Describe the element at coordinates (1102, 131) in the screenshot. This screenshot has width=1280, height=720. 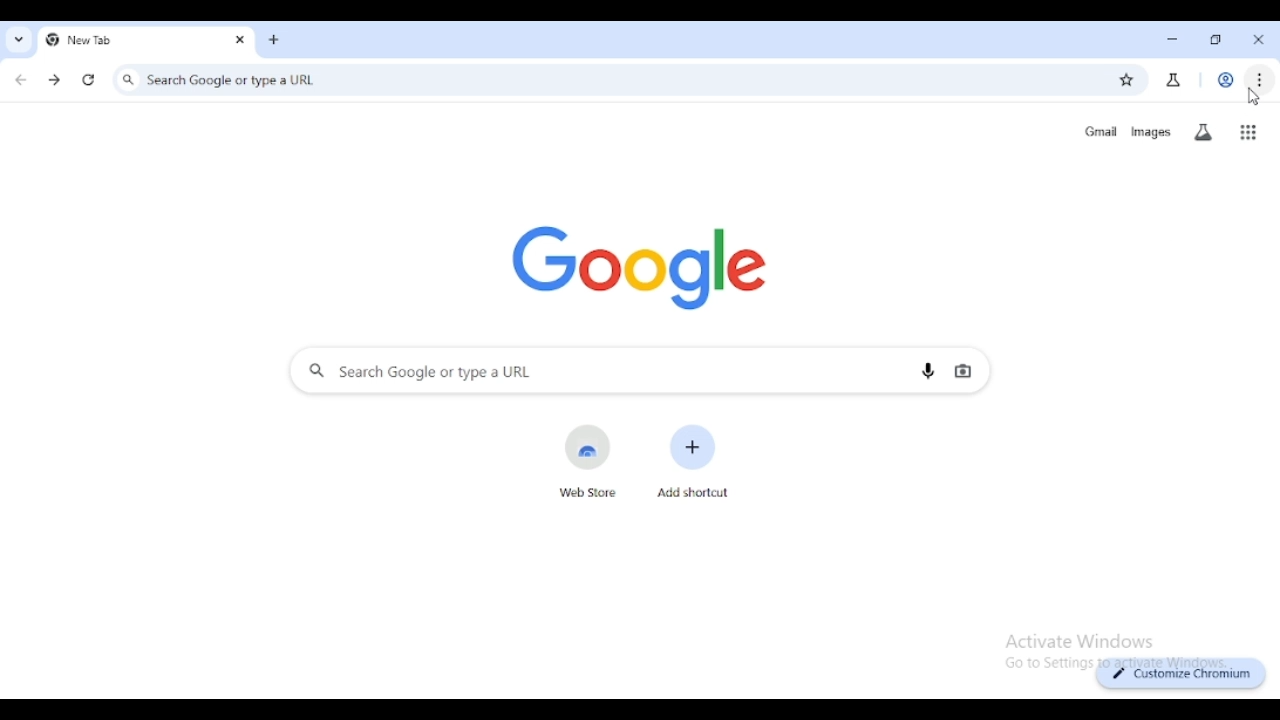
I see `gmail` at that location.